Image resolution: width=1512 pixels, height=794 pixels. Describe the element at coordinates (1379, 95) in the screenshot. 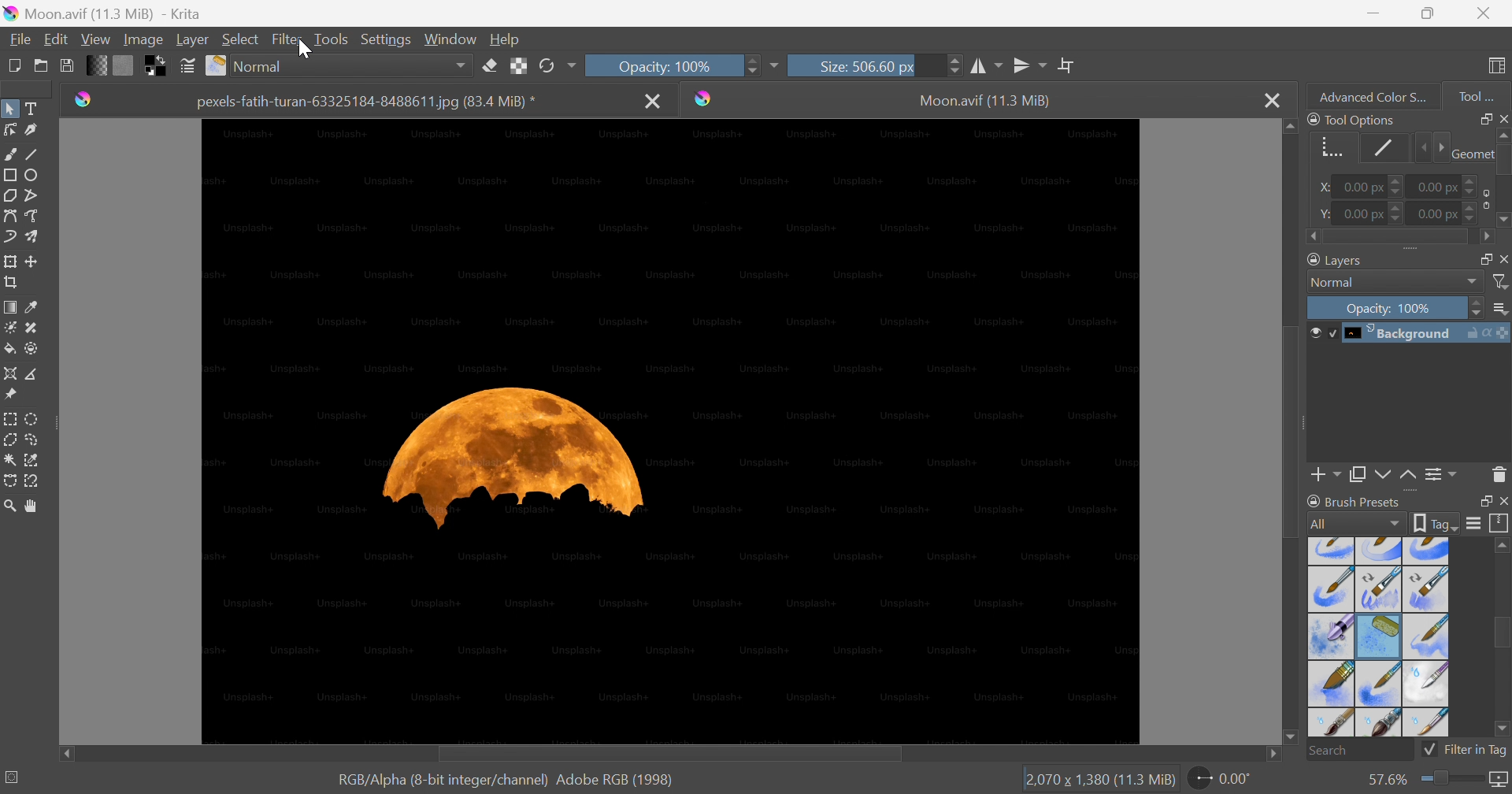

I see `Advanced color` at that location.